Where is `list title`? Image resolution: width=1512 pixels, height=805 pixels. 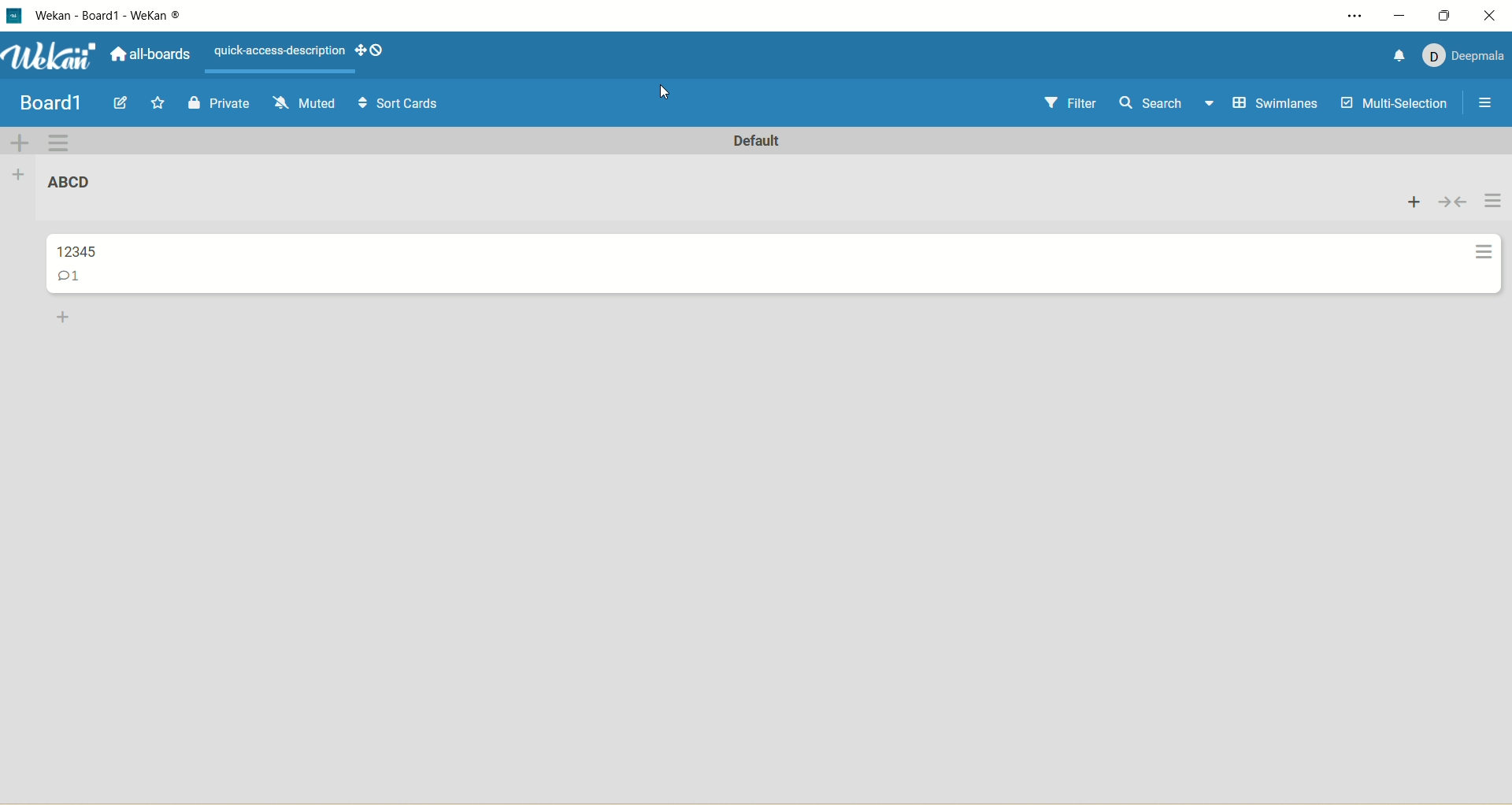 list title is located at coordinates (77, 187).